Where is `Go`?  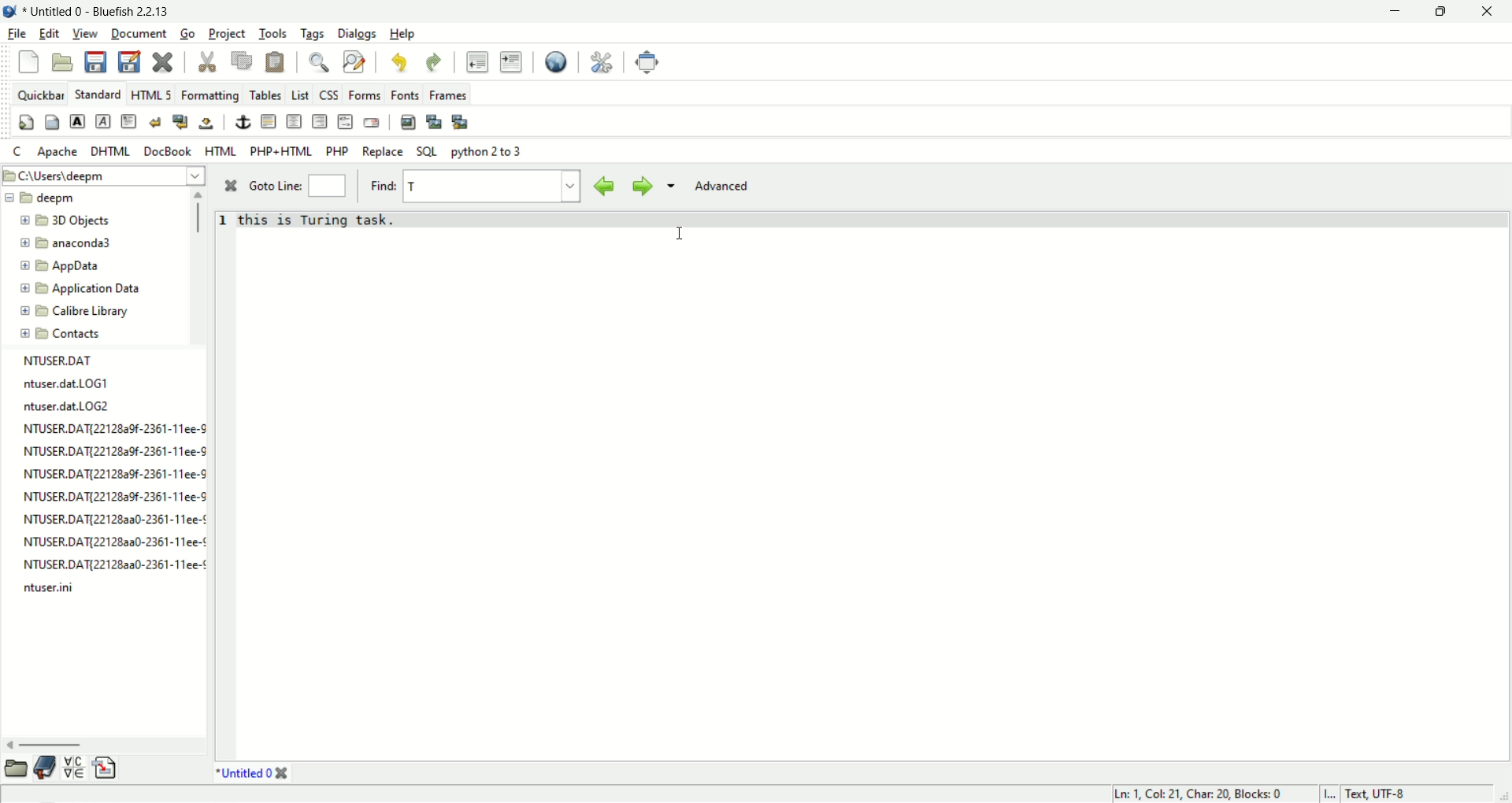
Go is located at coordinates (191, 34).